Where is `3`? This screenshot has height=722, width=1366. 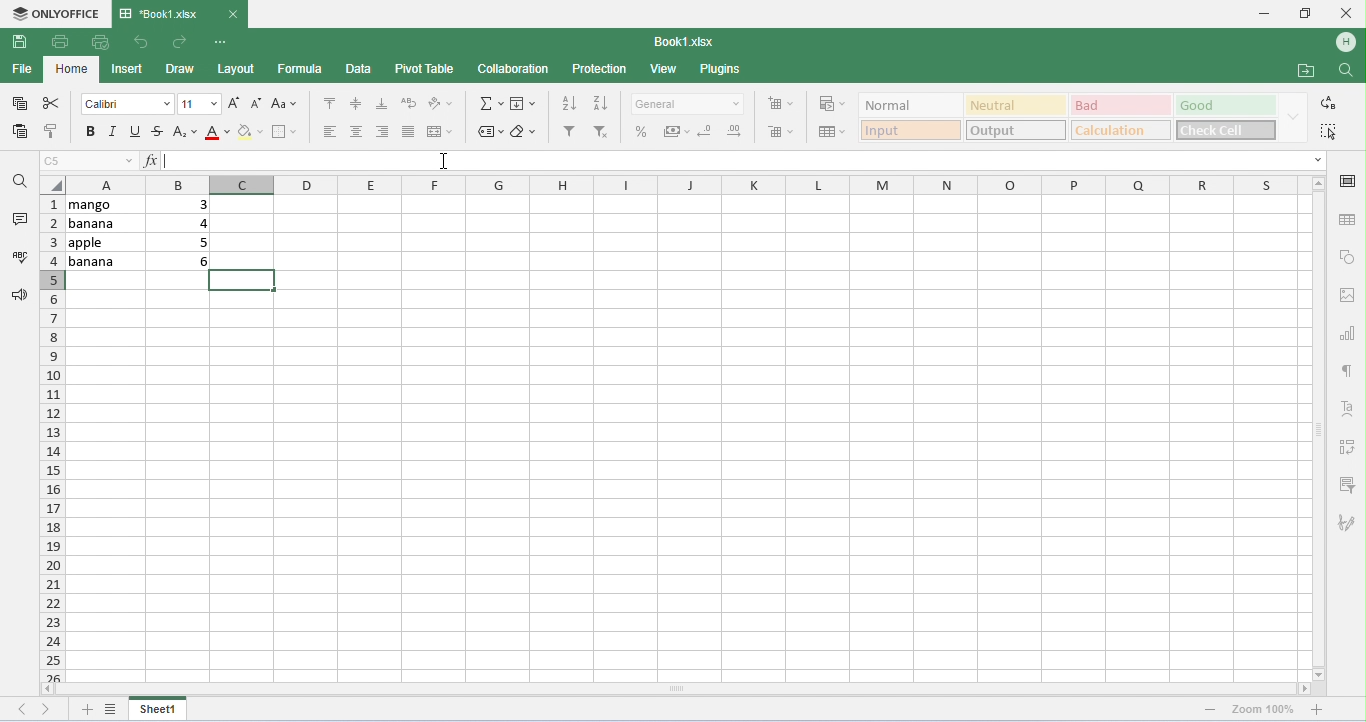 3 is located at coordinates (193, 204).